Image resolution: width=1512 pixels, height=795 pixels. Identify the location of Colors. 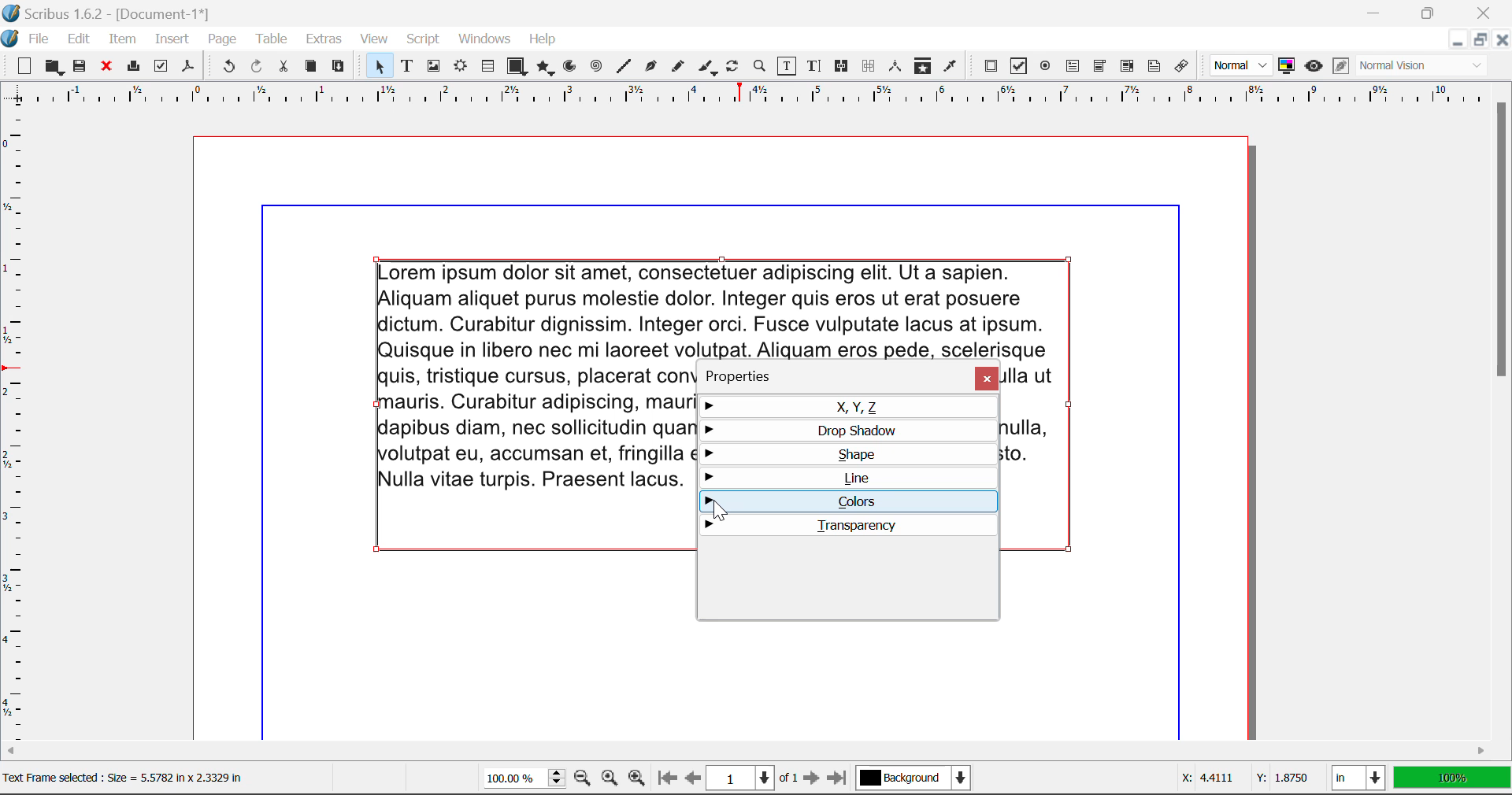
(847, 501).